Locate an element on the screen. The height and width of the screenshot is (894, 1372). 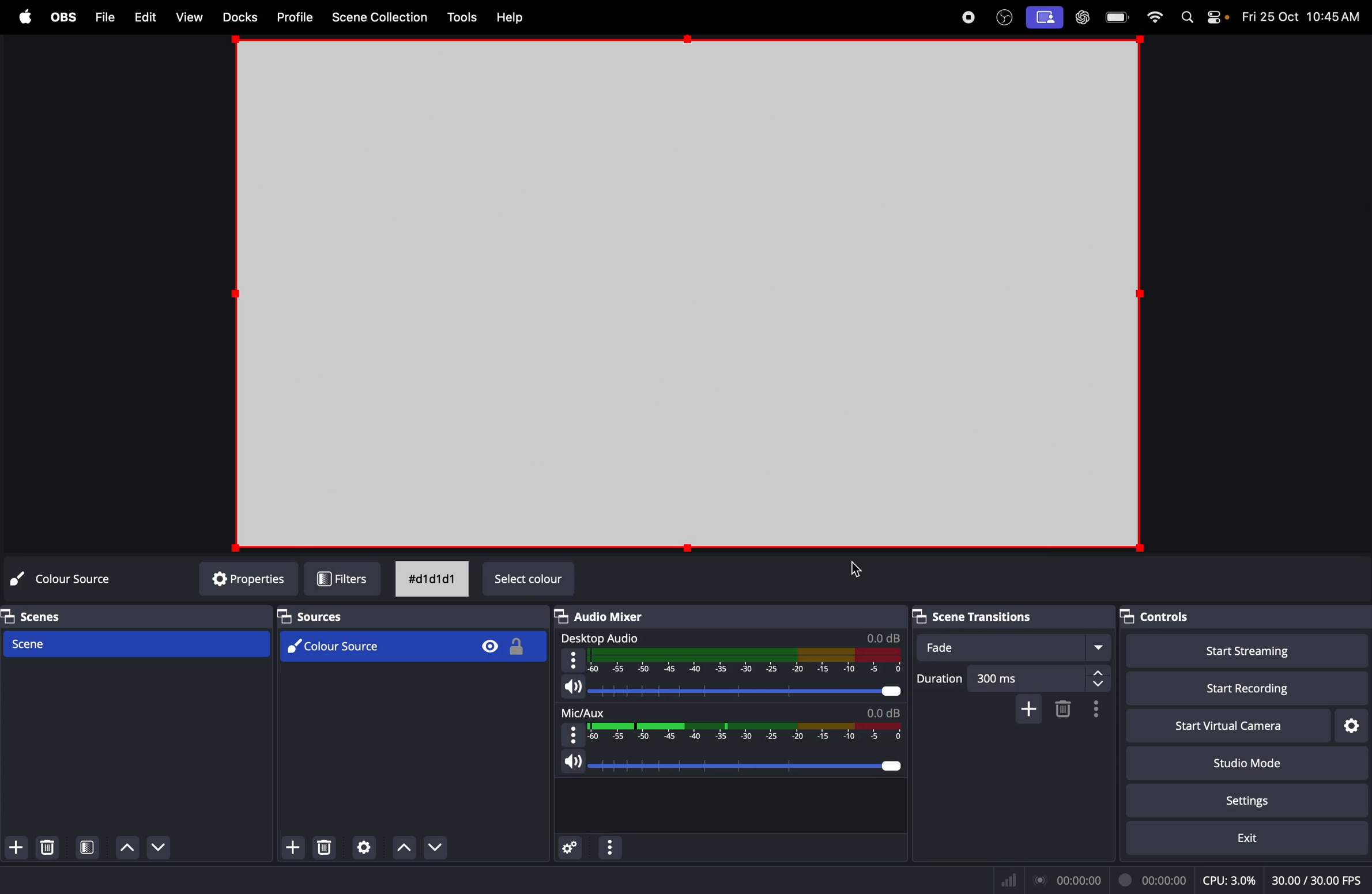
transition properties is located at coordinates (1095, 710).